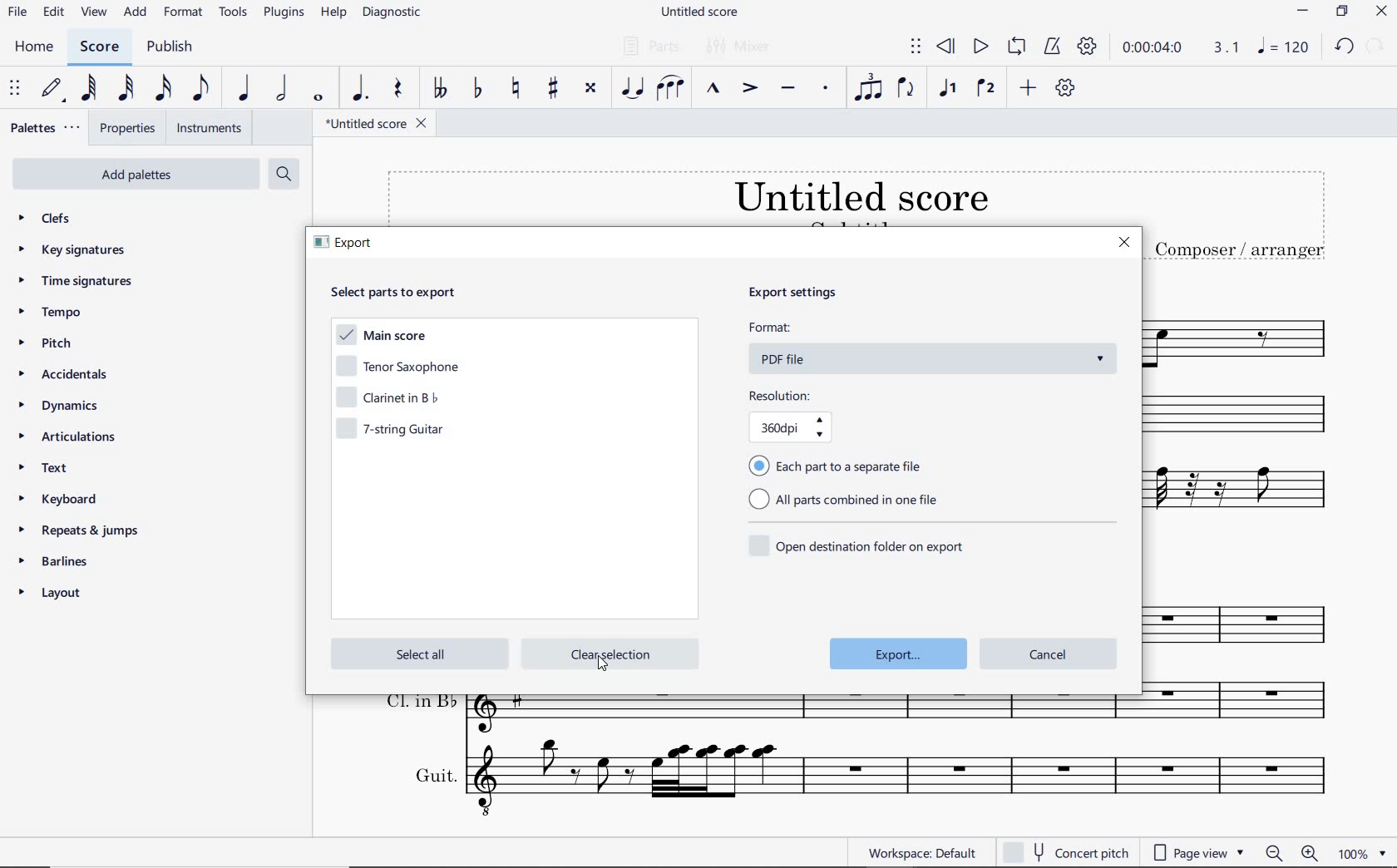 This screenshot has width=1397, height=868. I want to click on Guit., so click(858, 780).